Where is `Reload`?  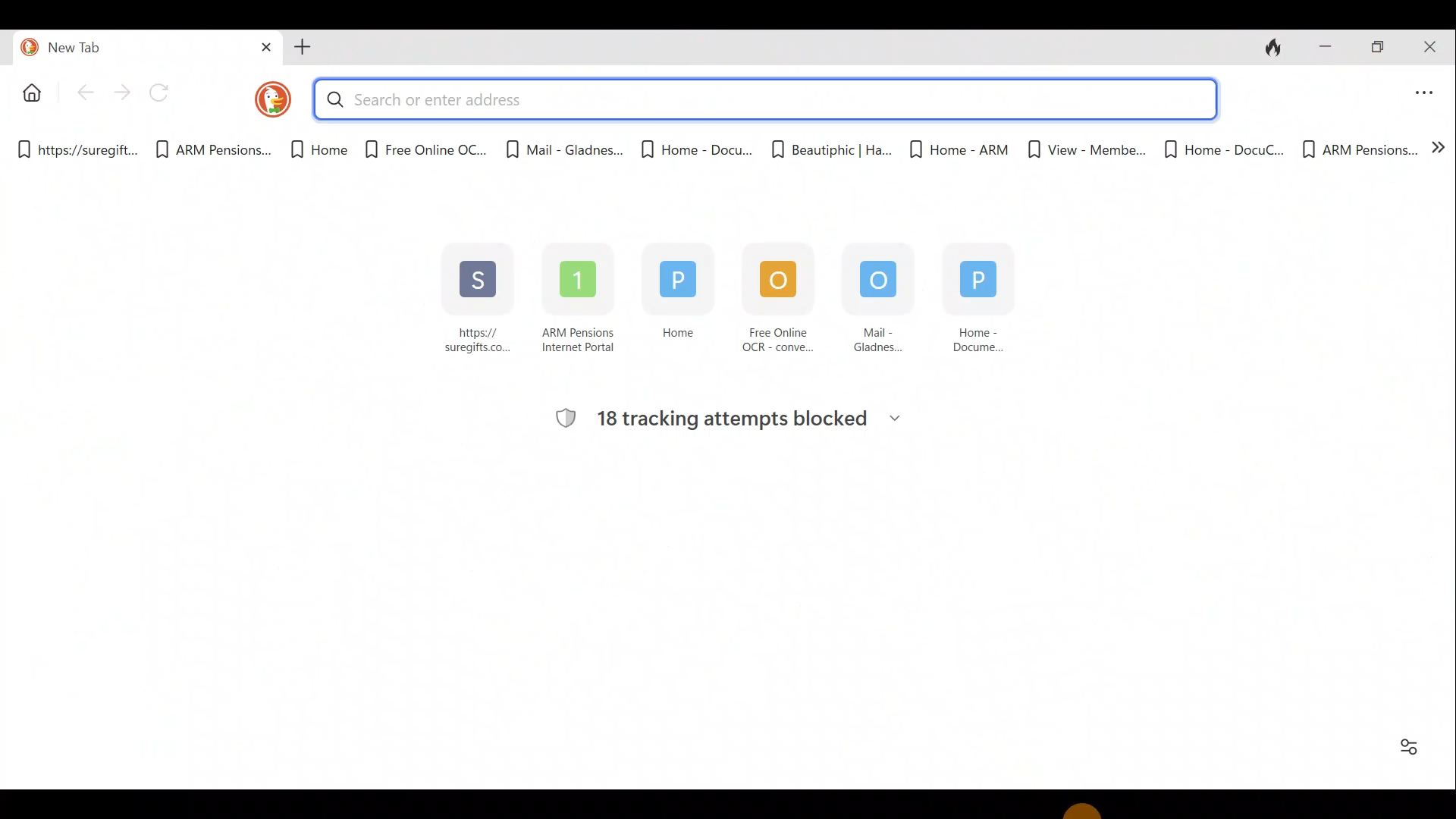 Reload is located at coordinates (166, 93).